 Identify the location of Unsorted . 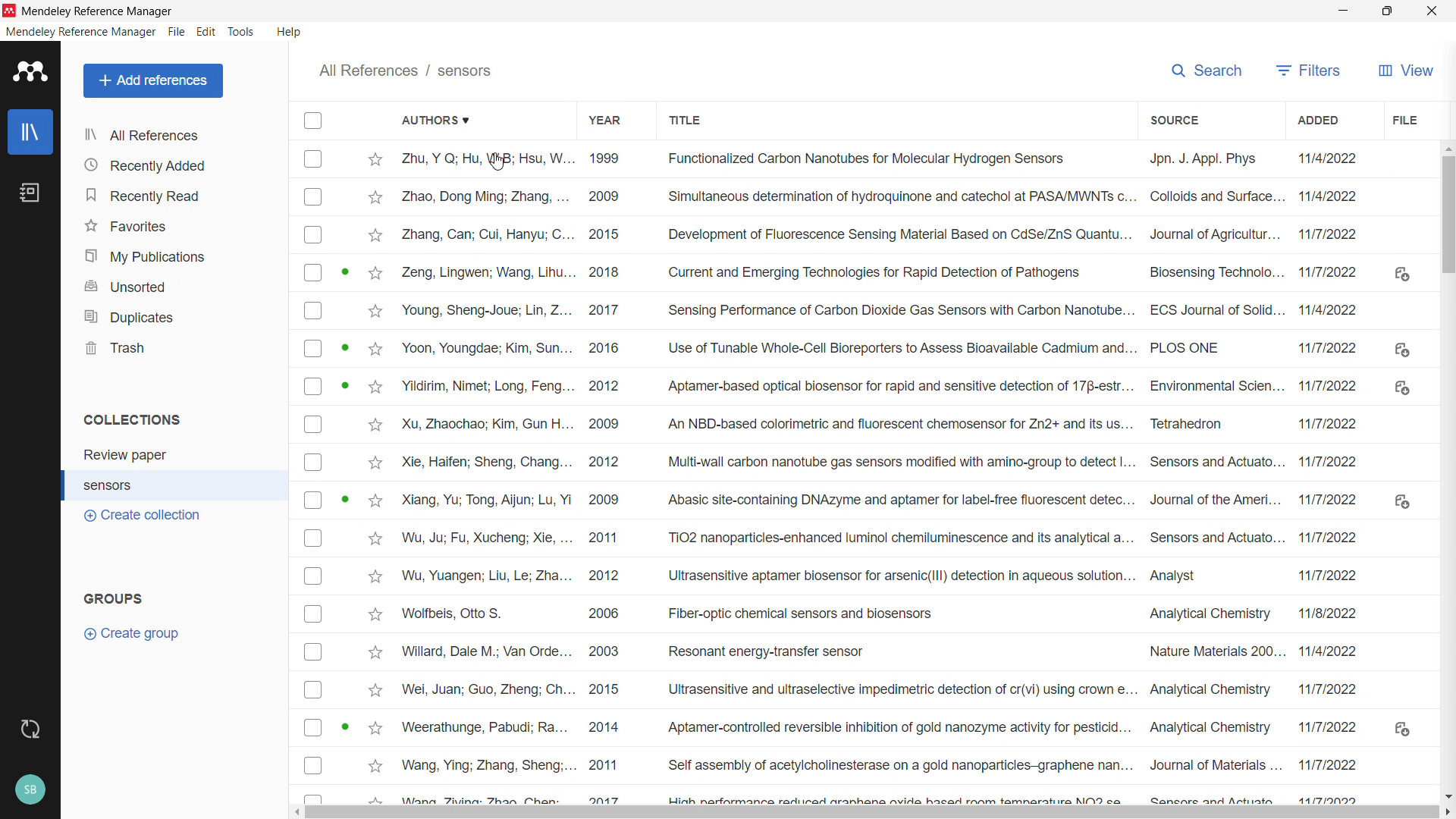
(178, 287).